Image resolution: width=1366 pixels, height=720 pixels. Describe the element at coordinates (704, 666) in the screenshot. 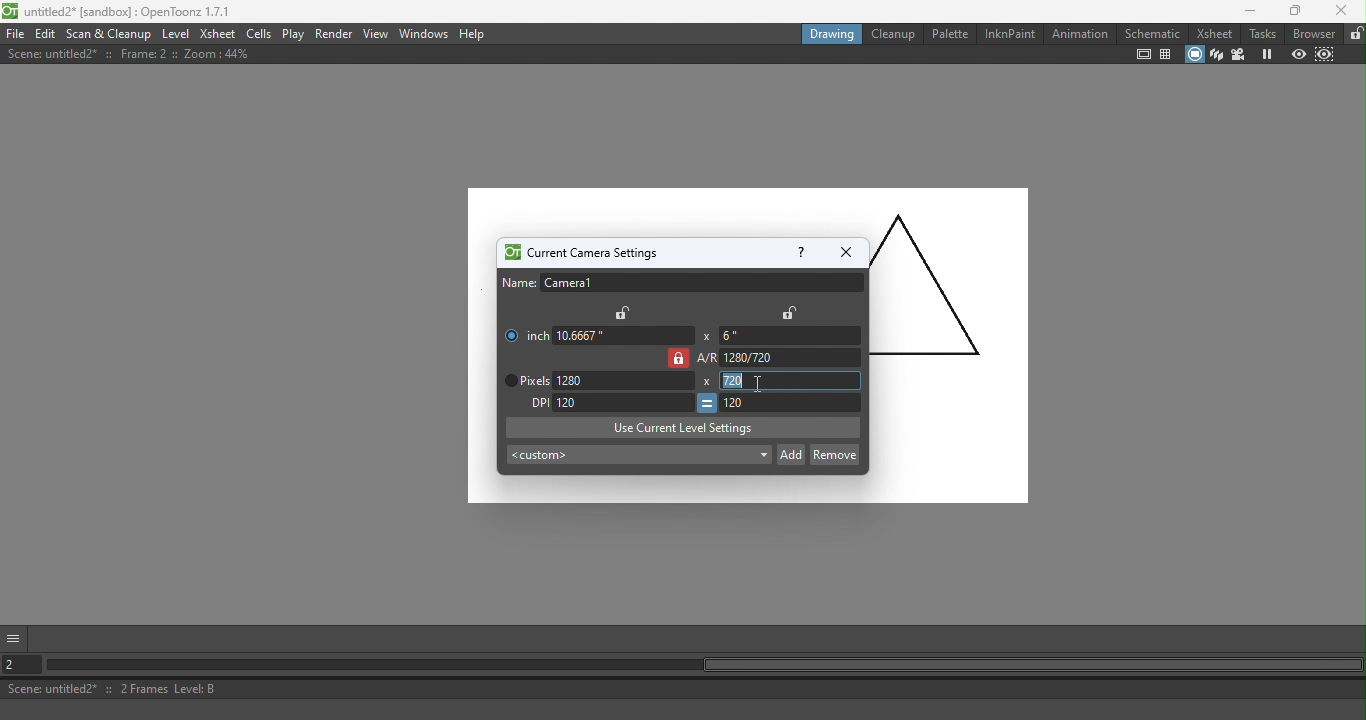

I see `Horizontal scroll bar` at that location.